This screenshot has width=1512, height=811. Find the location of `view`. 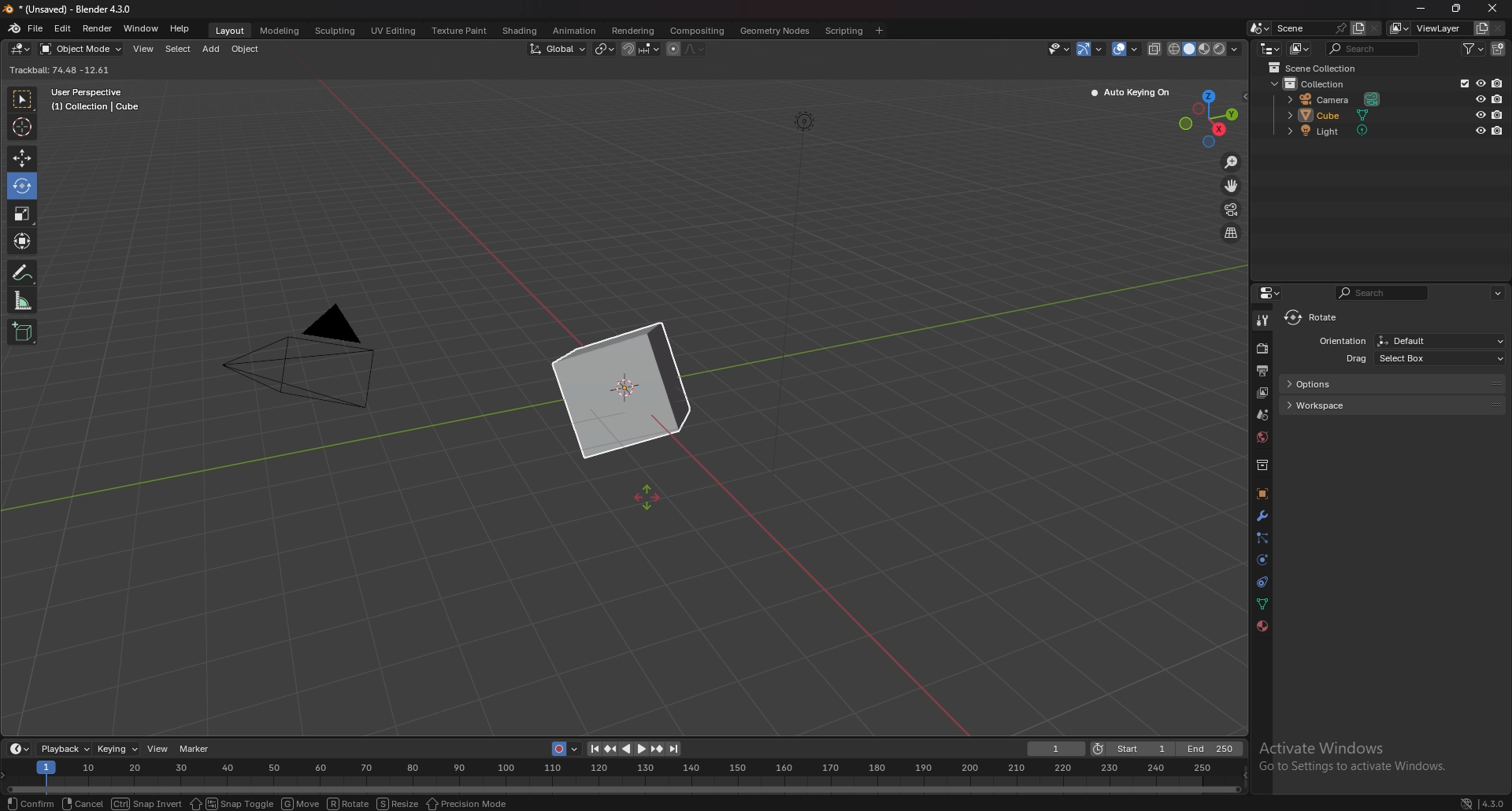

view is located at coordinates (144, 49).